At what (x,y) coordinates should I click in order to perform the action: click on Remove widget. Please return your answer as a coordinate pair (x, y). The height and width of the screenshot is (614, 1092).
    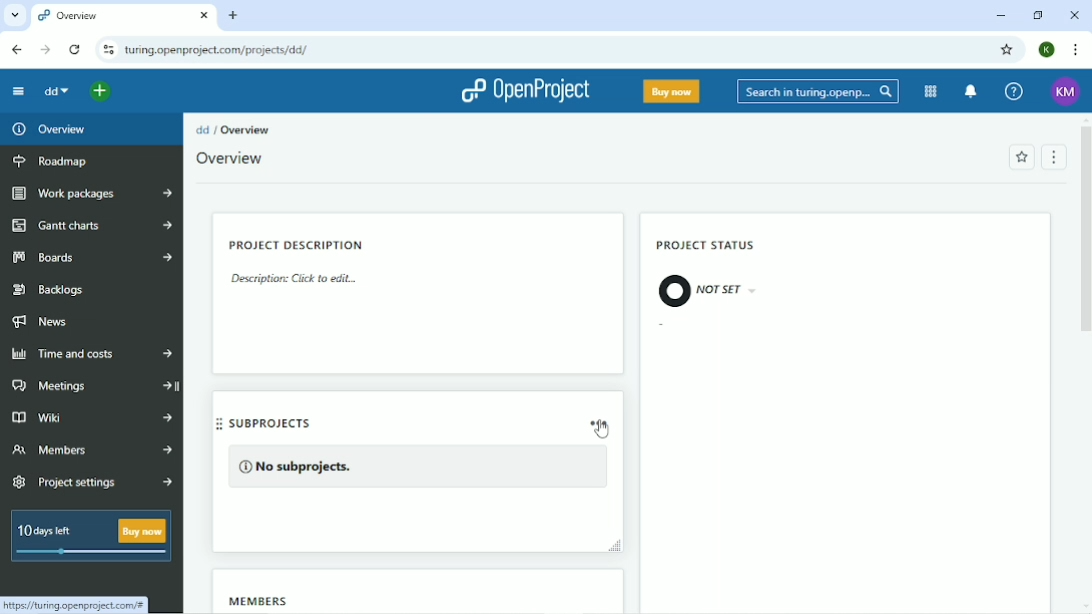
    Looking at the image, I should click on (598, 422).